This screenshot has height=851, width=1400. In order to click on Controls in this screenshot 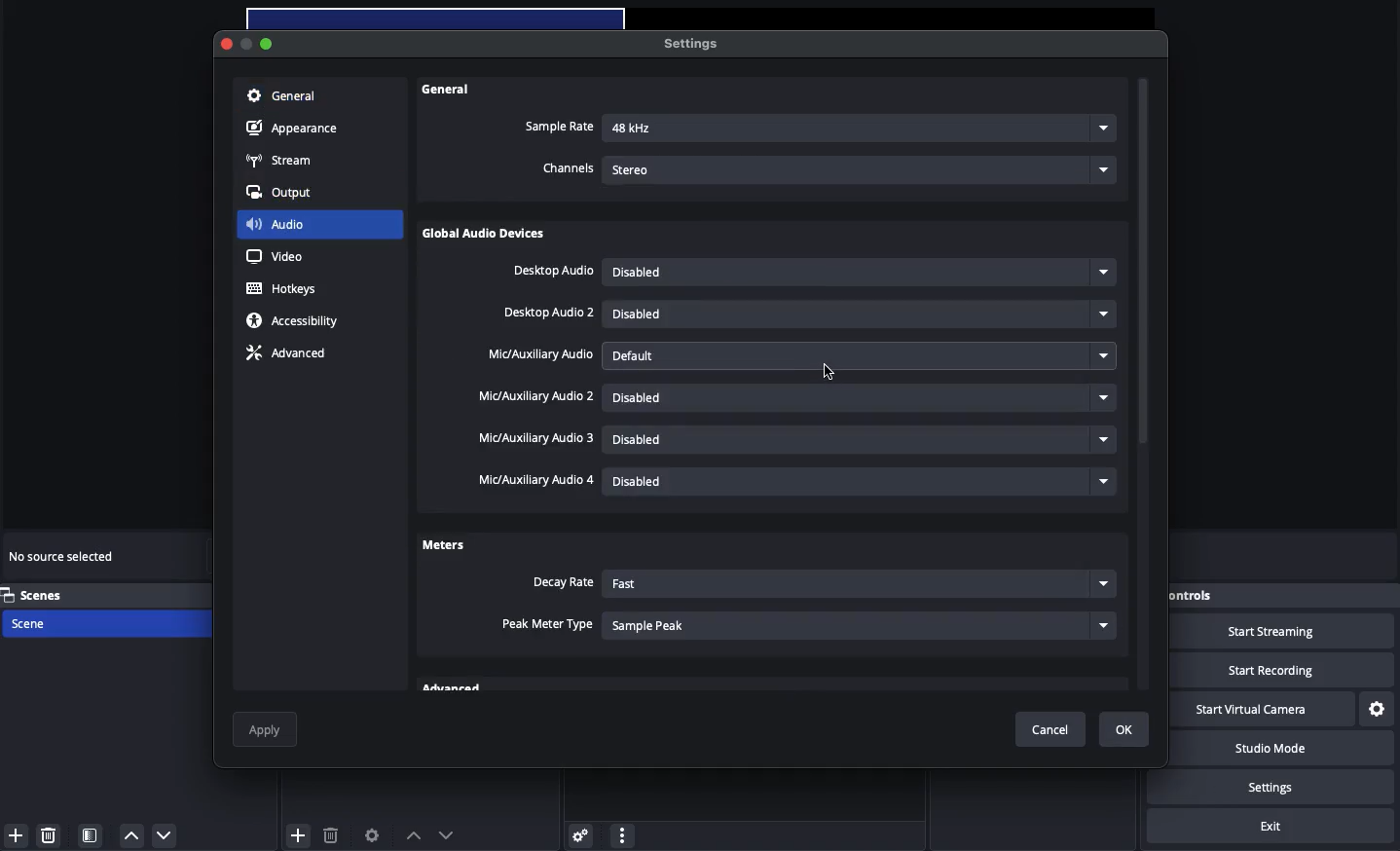, I will do `click(1220, 596)`.